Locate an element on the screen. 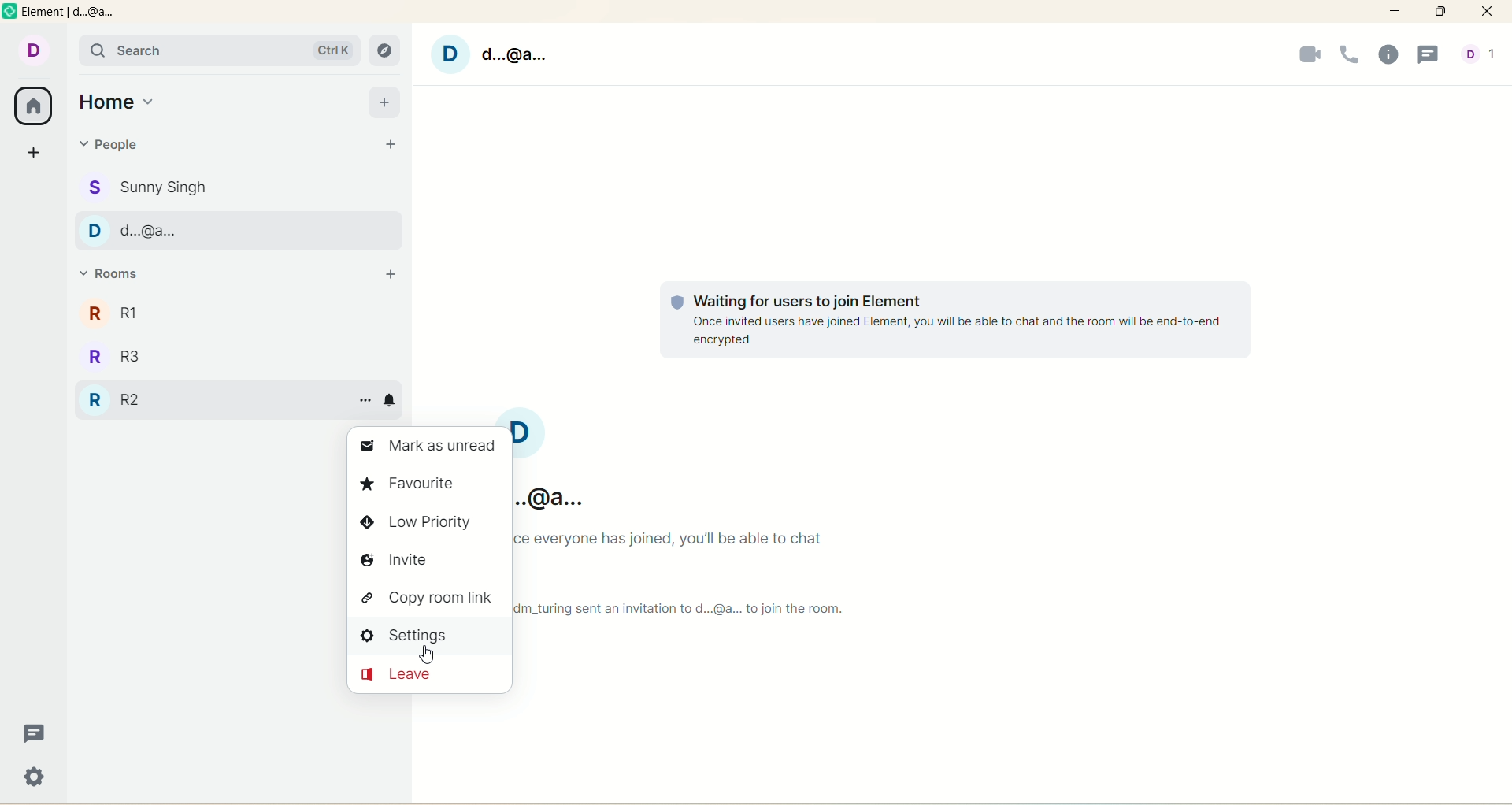  home is located at coordinates (120, 99).